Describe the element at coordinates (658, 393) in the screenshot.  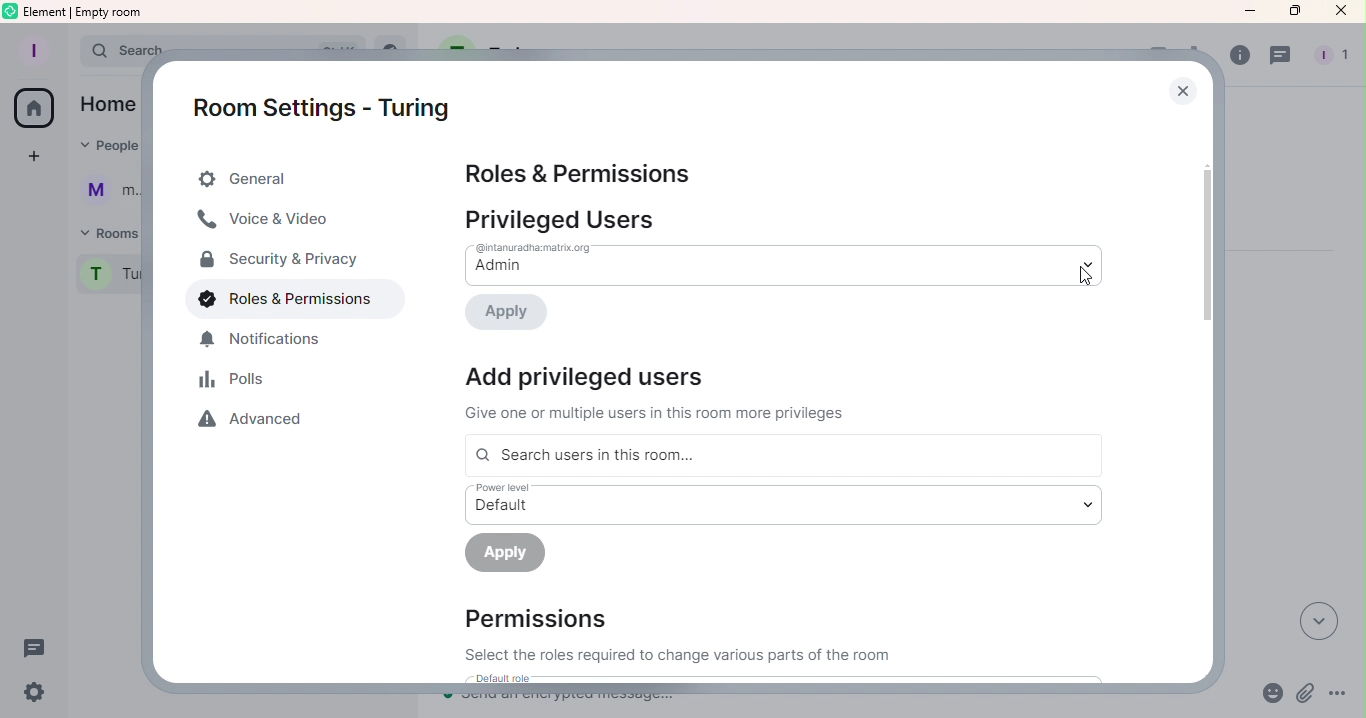
I see `` at that location.